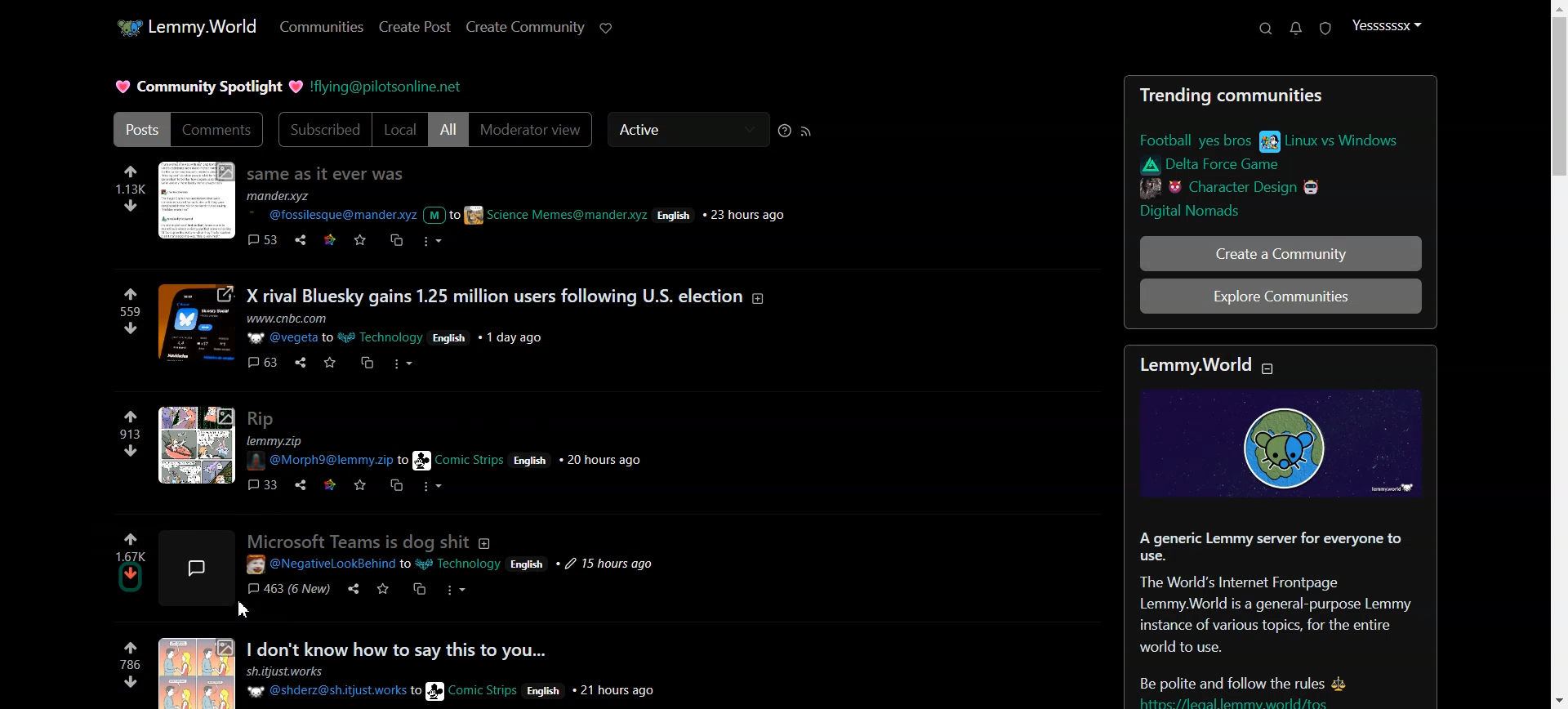 The width and height of the screenshot is (1568, 709). I want to click on posts, so click(460, 649).